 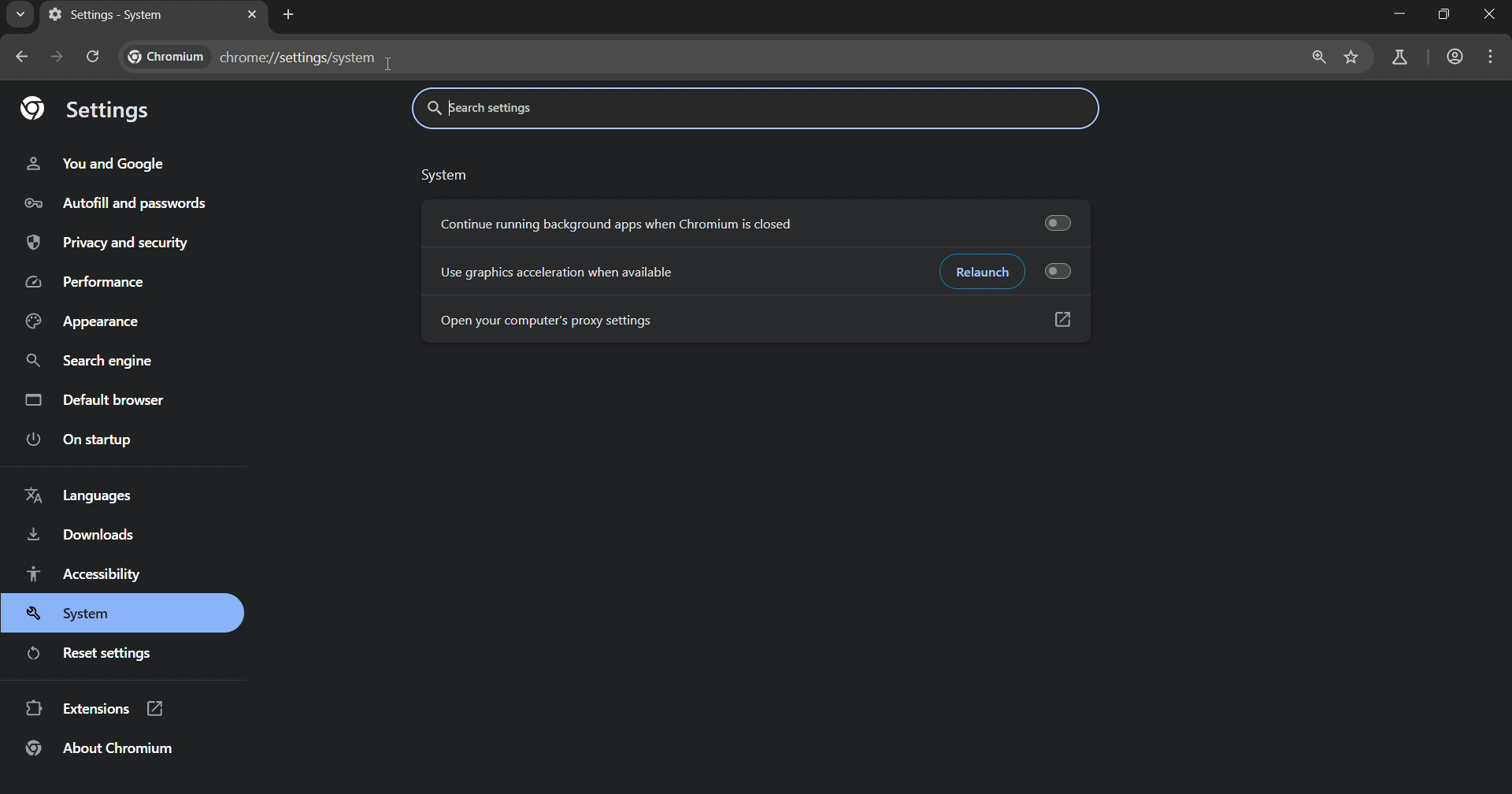 What do you see at coordinates (89, 361) in the screenshot?
I see `search engine` at bounding box center [89, 361].